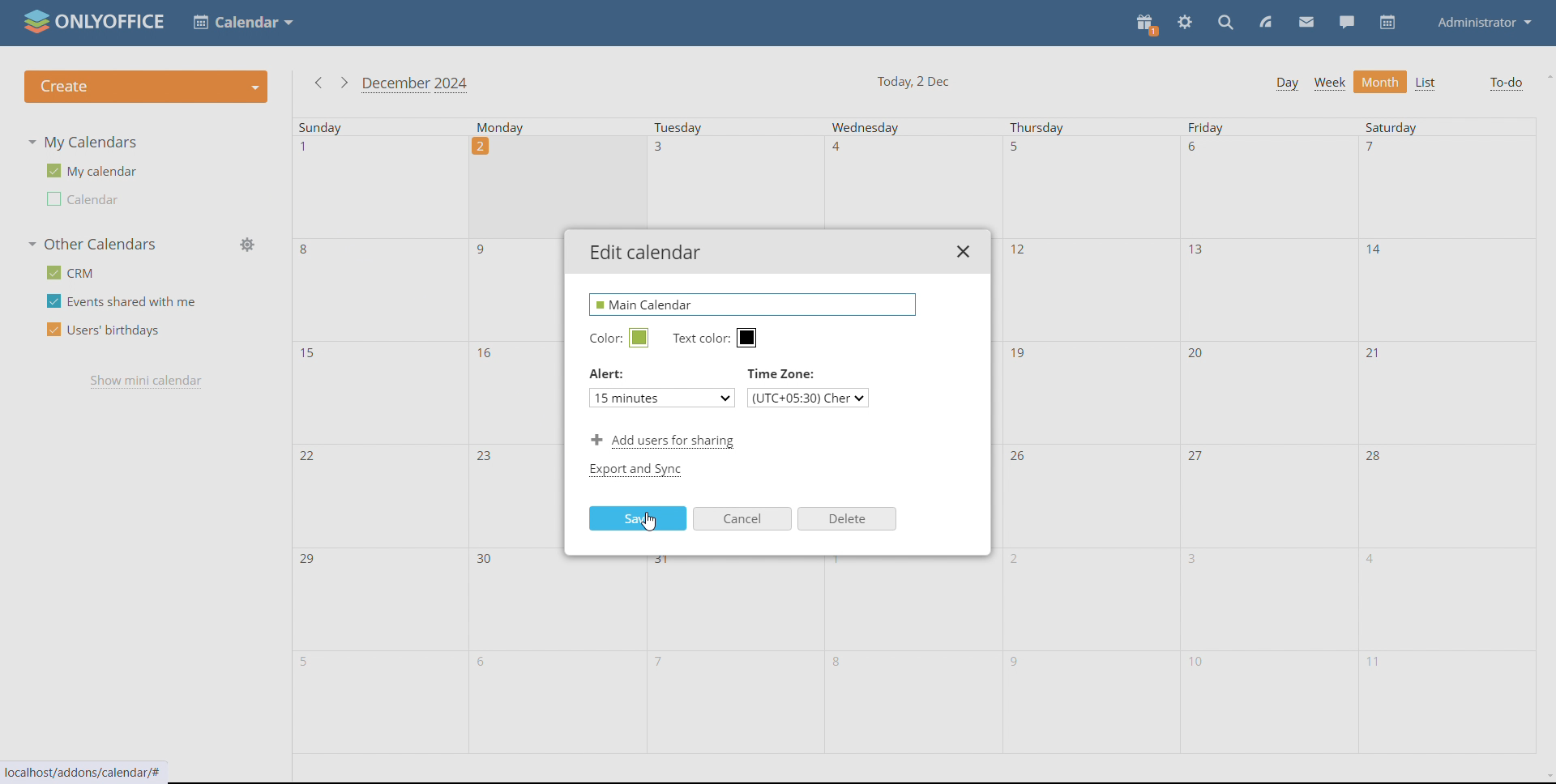  Describe the element at coordinates (1088, 446) in the screenshot. I see `thursday` at that location.